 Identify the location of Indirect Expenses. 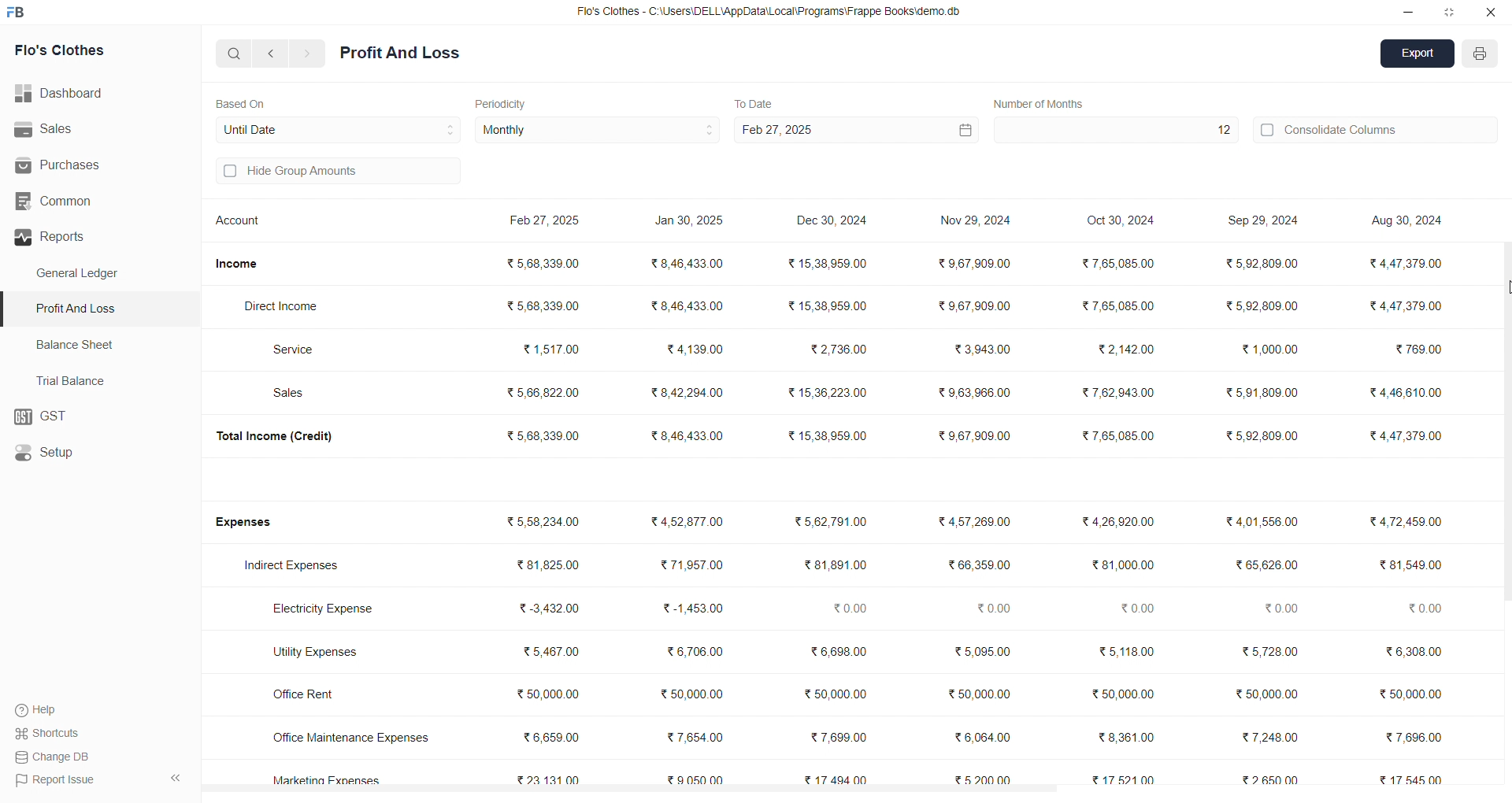
(297, 567).